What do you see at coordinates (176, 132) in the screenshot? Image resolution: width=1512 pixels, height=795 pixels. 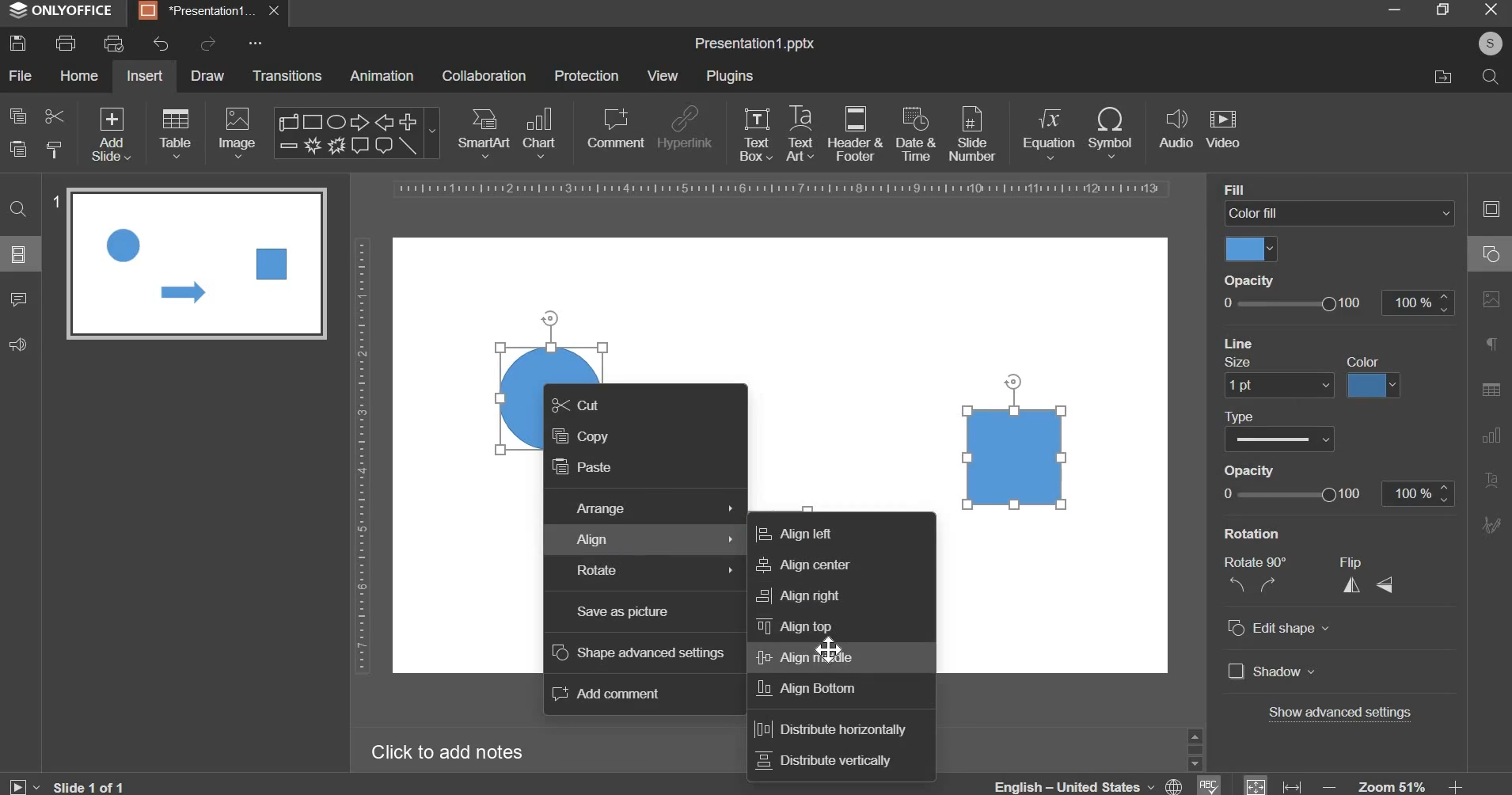 I see `table` at bounding box center [176, 132].